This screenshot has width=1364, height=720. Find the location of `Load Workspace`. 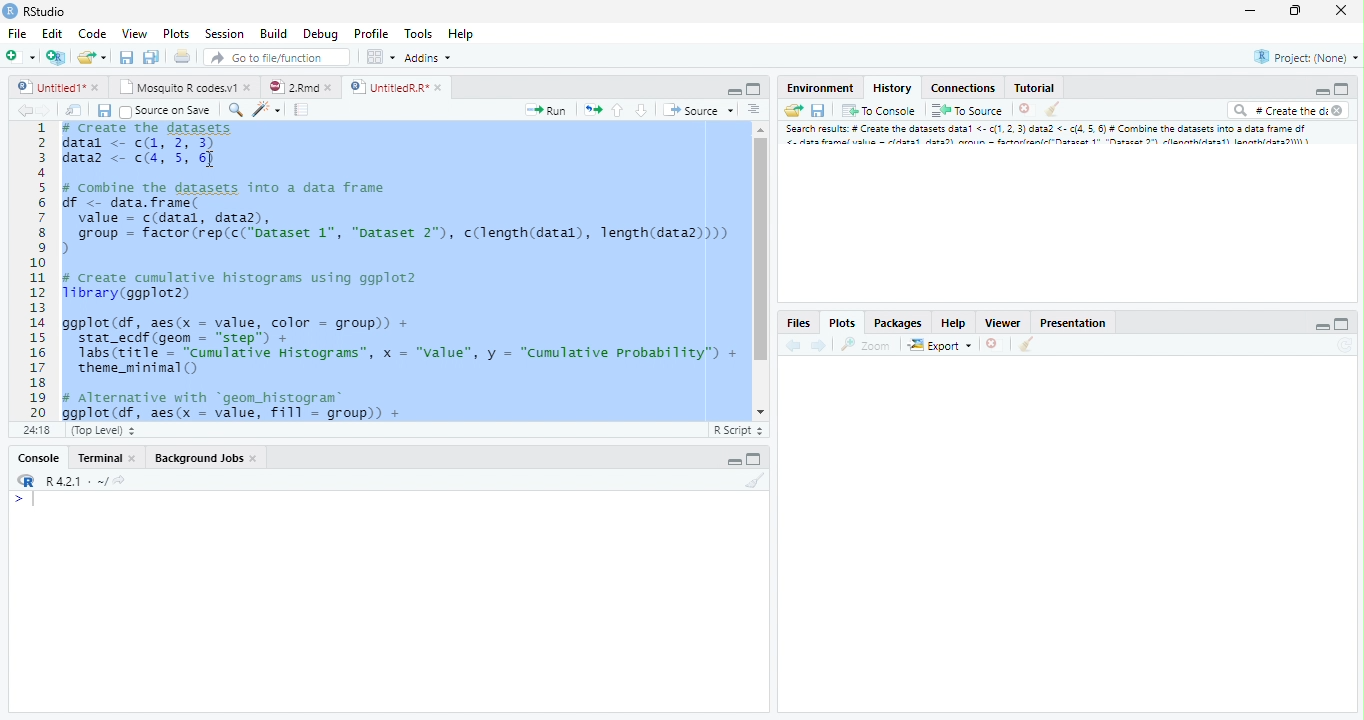

Load Workspace is located at coordinates (795, 113).